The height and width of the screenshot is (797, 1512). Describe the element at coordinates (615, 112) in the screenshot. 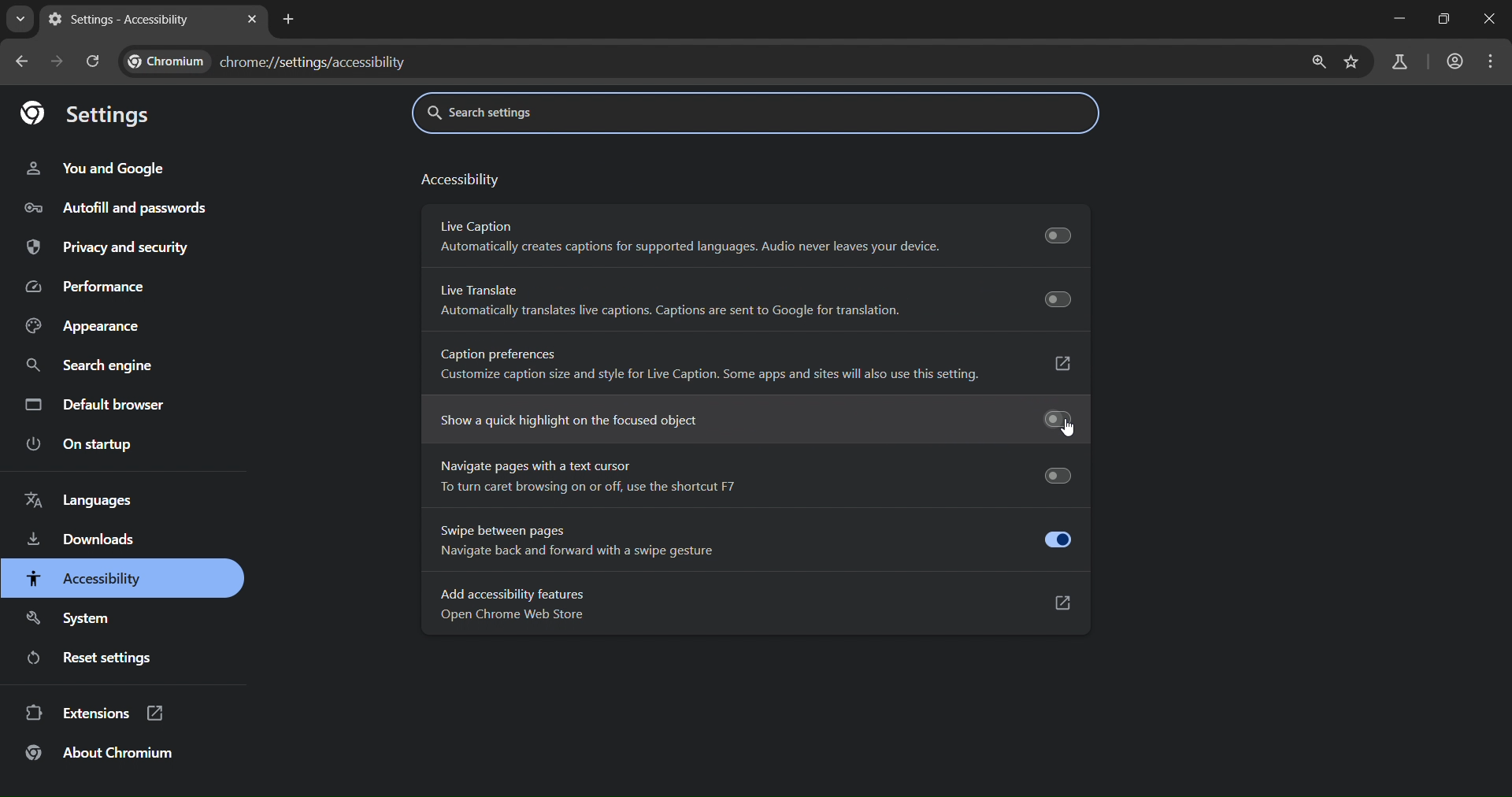

I see `search settings` at that location.